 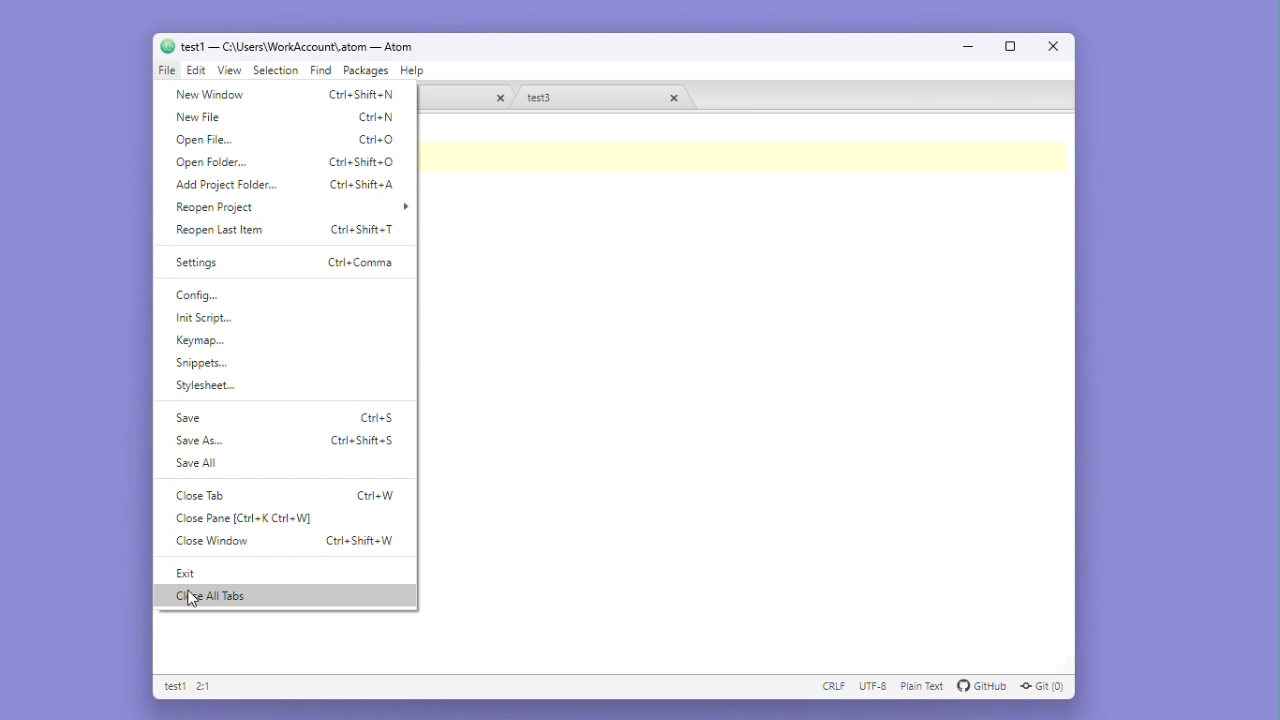 I want to click on save as, so click(x=205, y=439).